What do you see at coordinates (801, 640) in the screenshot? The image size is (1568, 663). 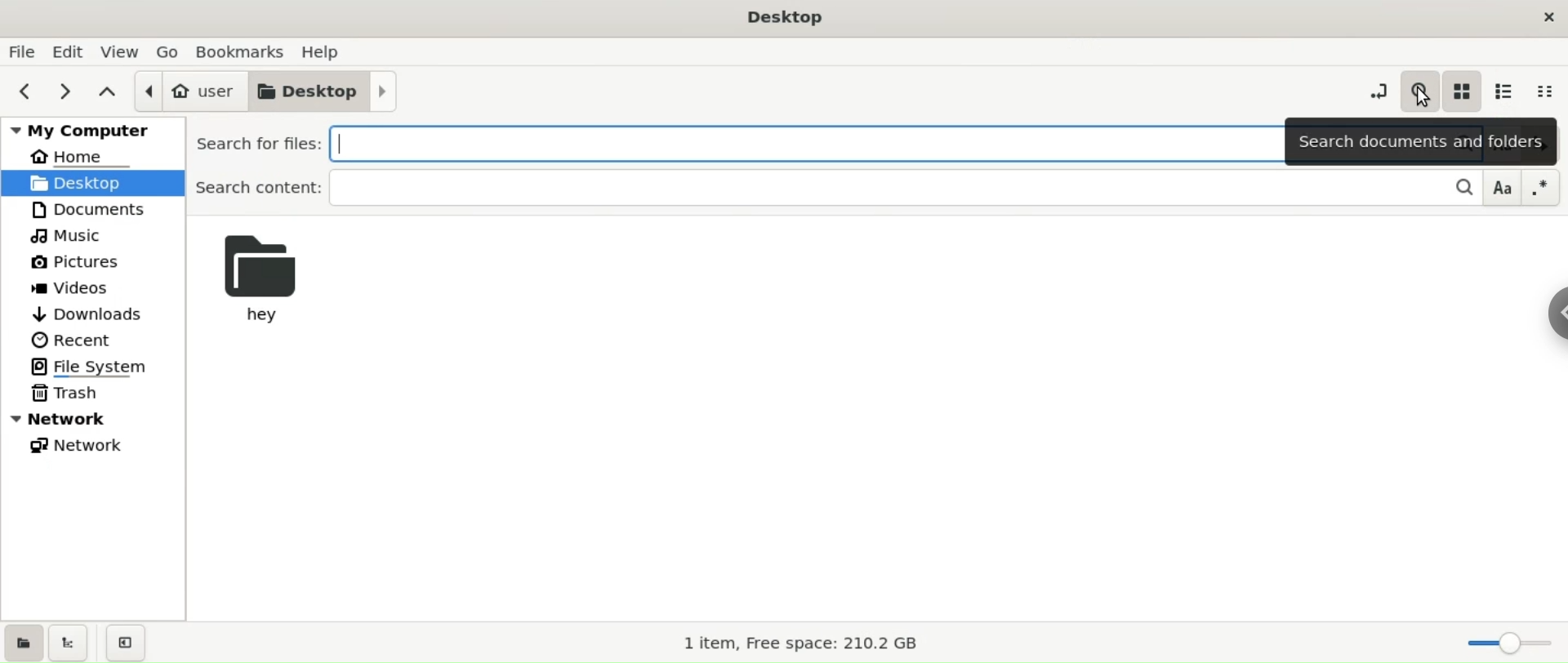 I see `1 item, Free space: 210.2 GB` at bounding box center [801, 640].